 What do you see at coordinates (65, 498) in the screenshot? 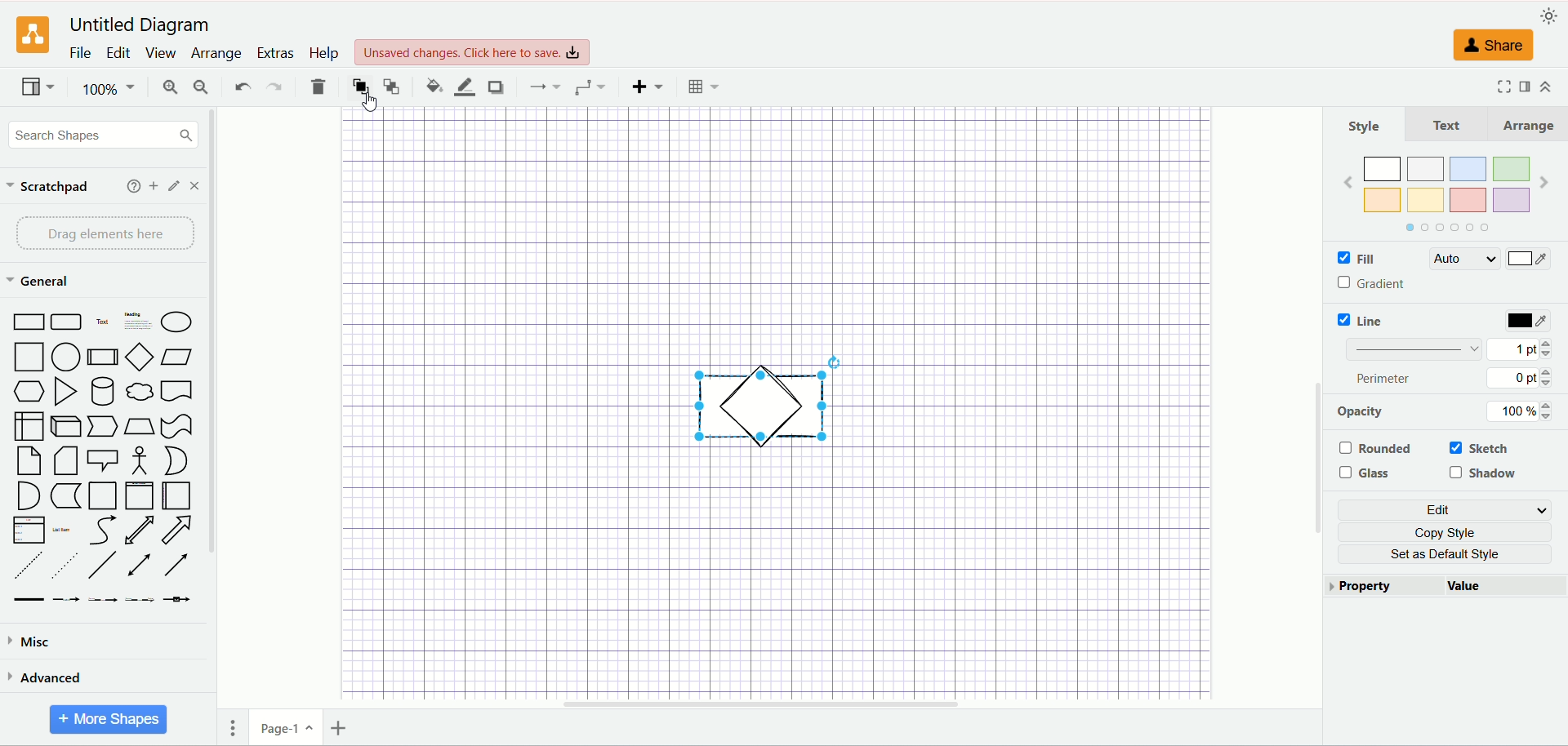
I see `Data storage` at bounding box center [65, 498].